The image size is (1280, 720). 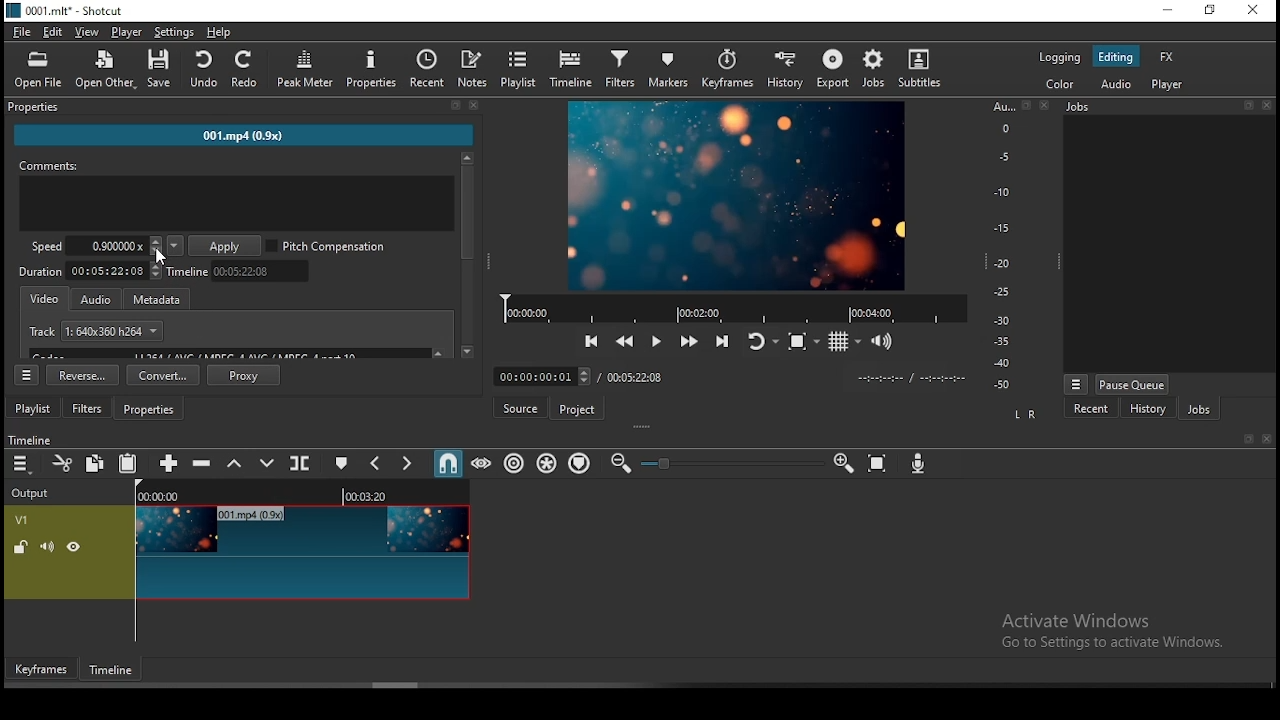 I want to click on lift, so click(x=234, y=464).